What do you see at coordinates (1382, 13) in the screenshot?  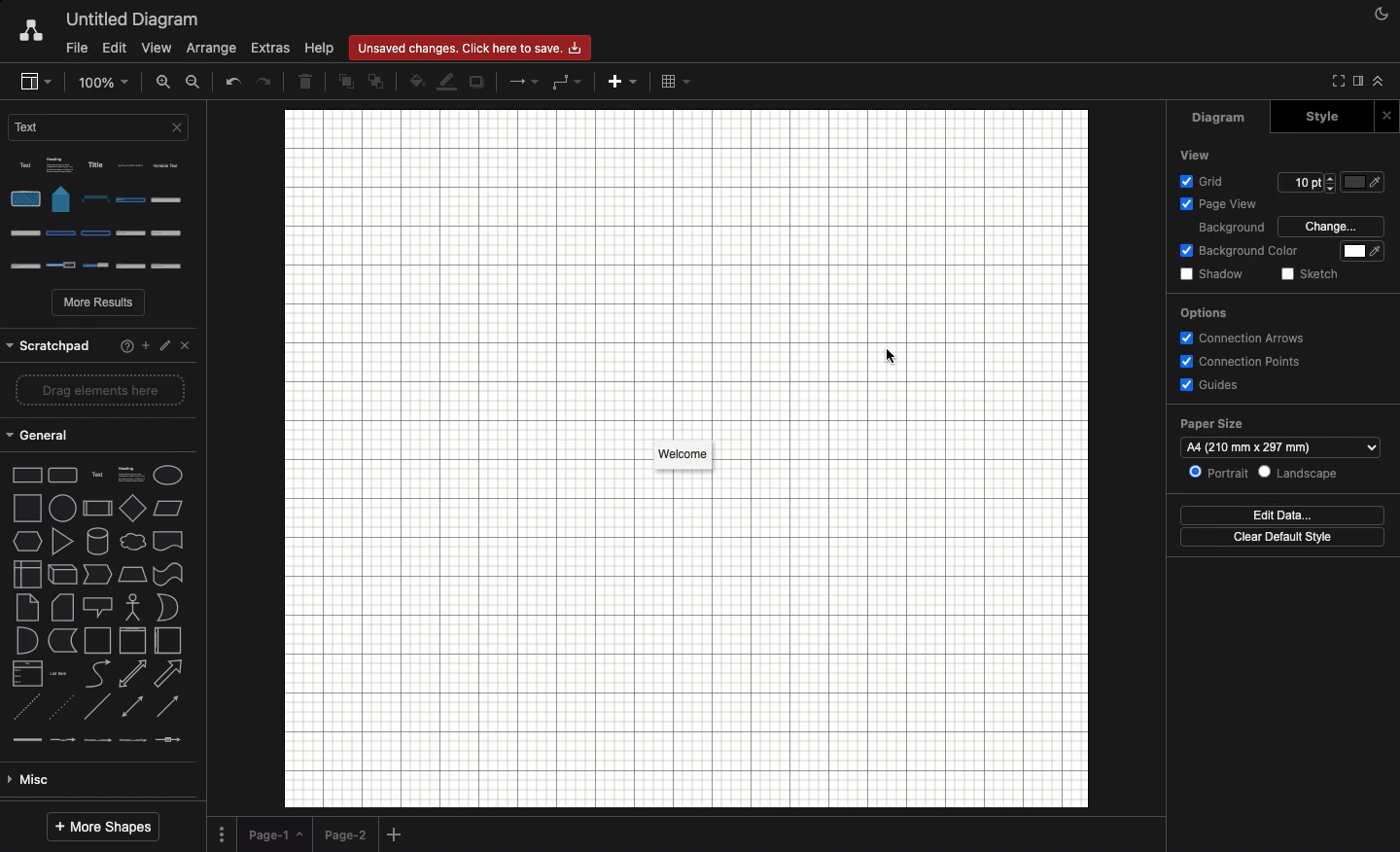 I see `Night ` at bounding box center [1382, 13].